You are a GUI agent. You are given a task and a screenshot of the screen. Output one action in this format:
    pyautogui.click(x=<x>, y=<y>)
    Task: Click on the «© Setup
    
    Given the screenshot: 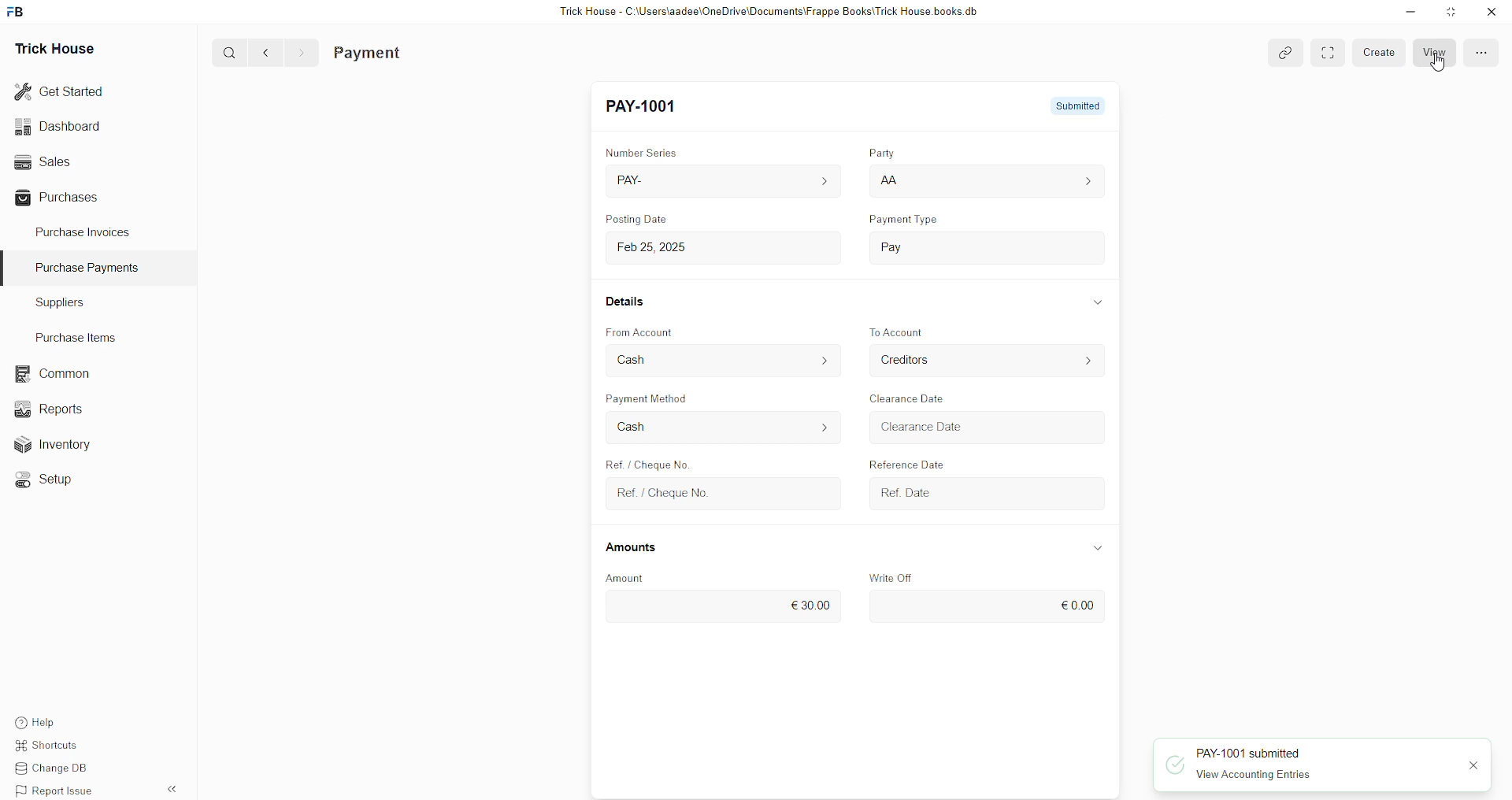 What is the action you would take?
    pyautogui.click(x=49, y=480)
    